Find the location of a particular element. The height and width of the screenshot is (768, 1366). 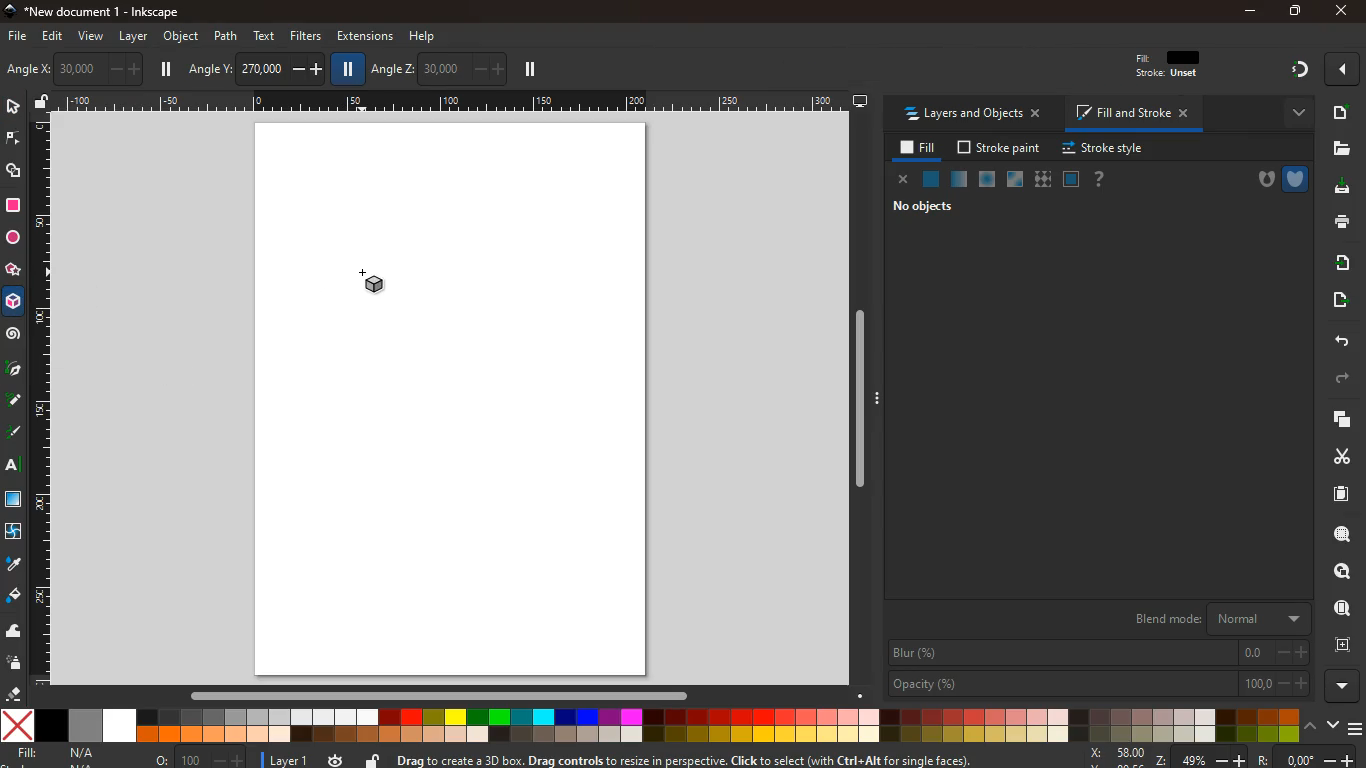

spiral is located at coordinates (14, 336).